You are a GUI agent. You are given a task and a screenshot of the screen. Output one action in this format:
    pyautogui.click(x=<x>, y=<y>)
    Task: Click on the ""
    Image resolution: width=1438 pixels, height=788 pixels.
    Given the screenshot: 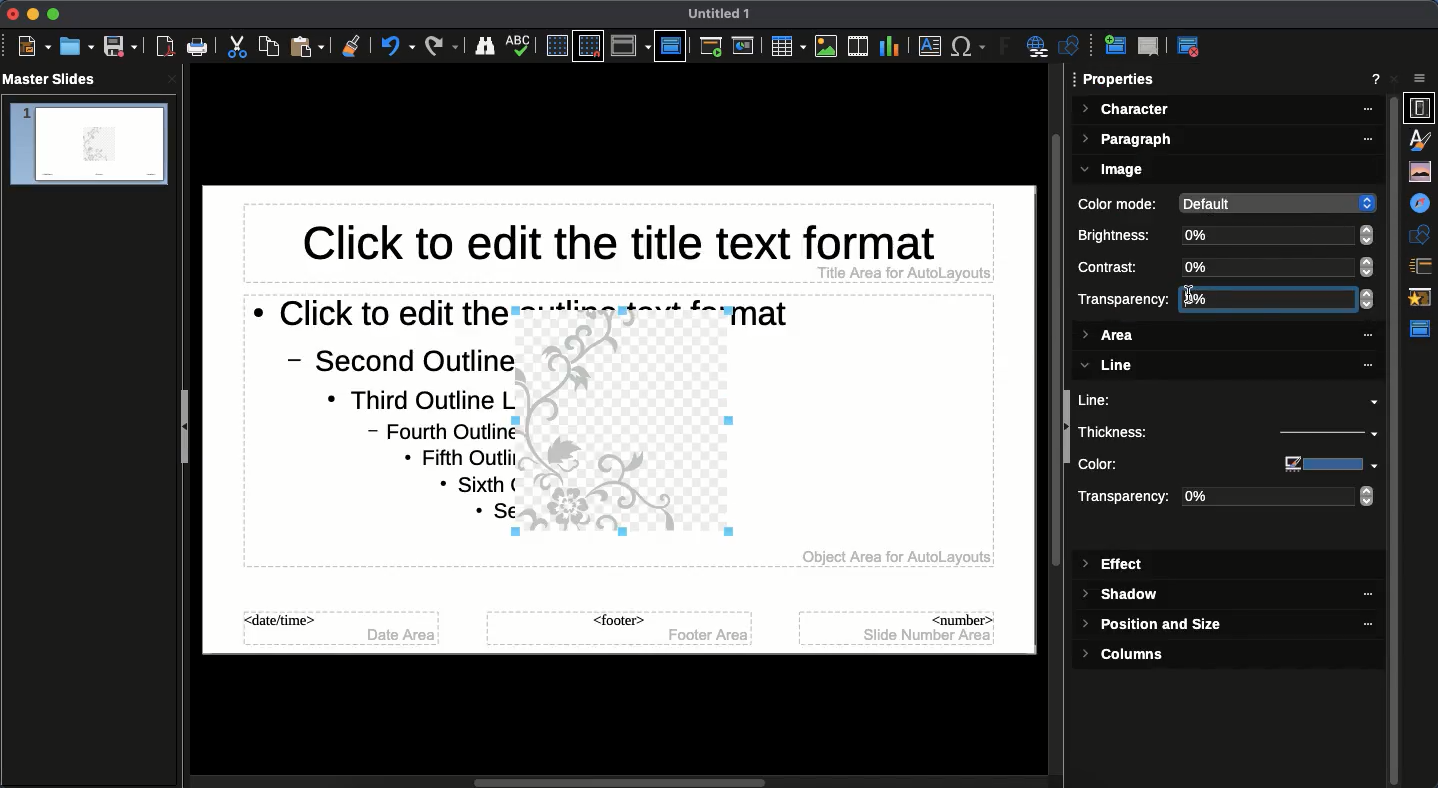 What is the action you would take?
    pyautogui.click(x=1358, y=595)
    